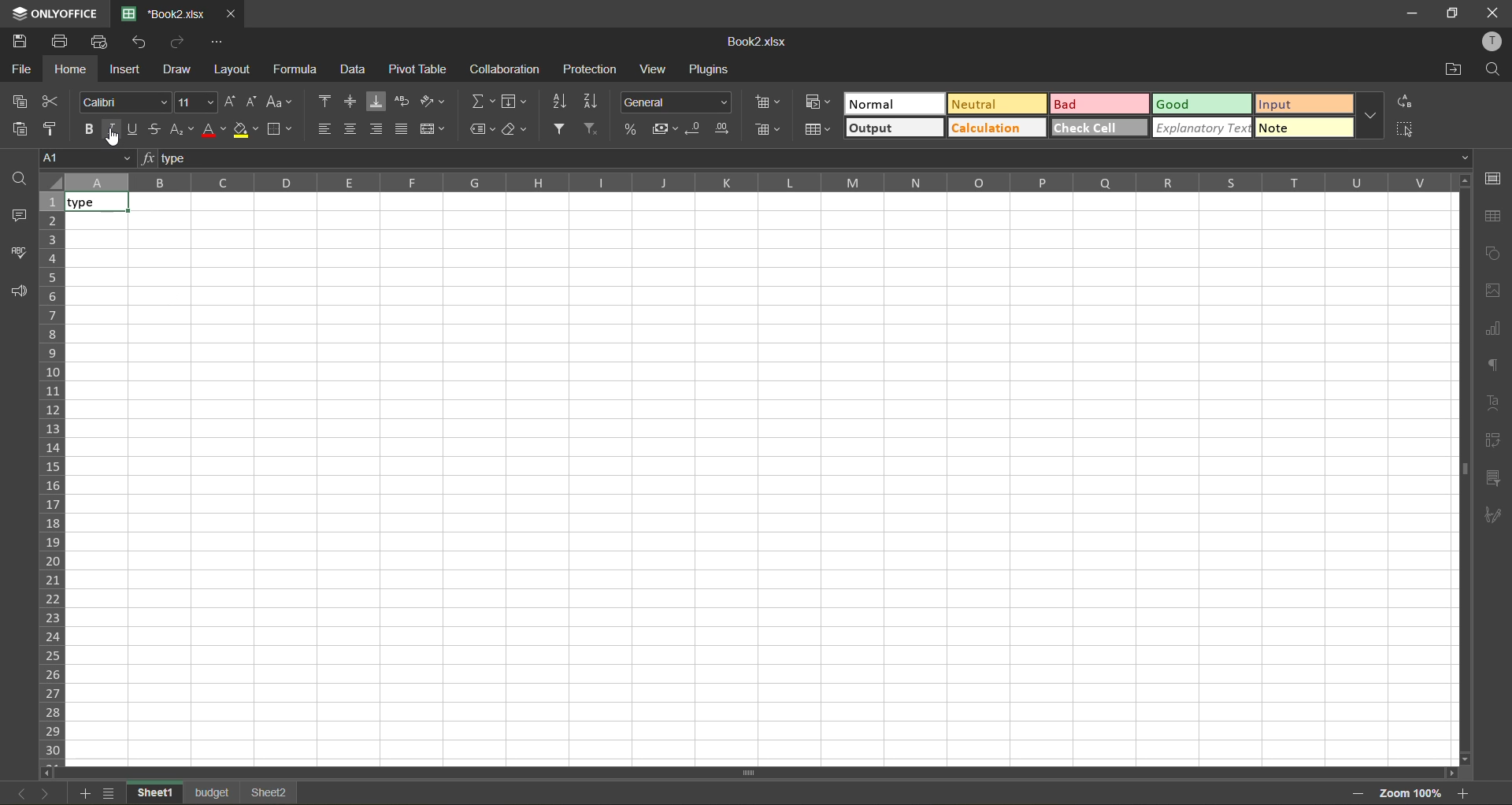  What do you see at coordinates (995, 127) in the screenshot?
I see `calculation` at bounding box center [995, 127].